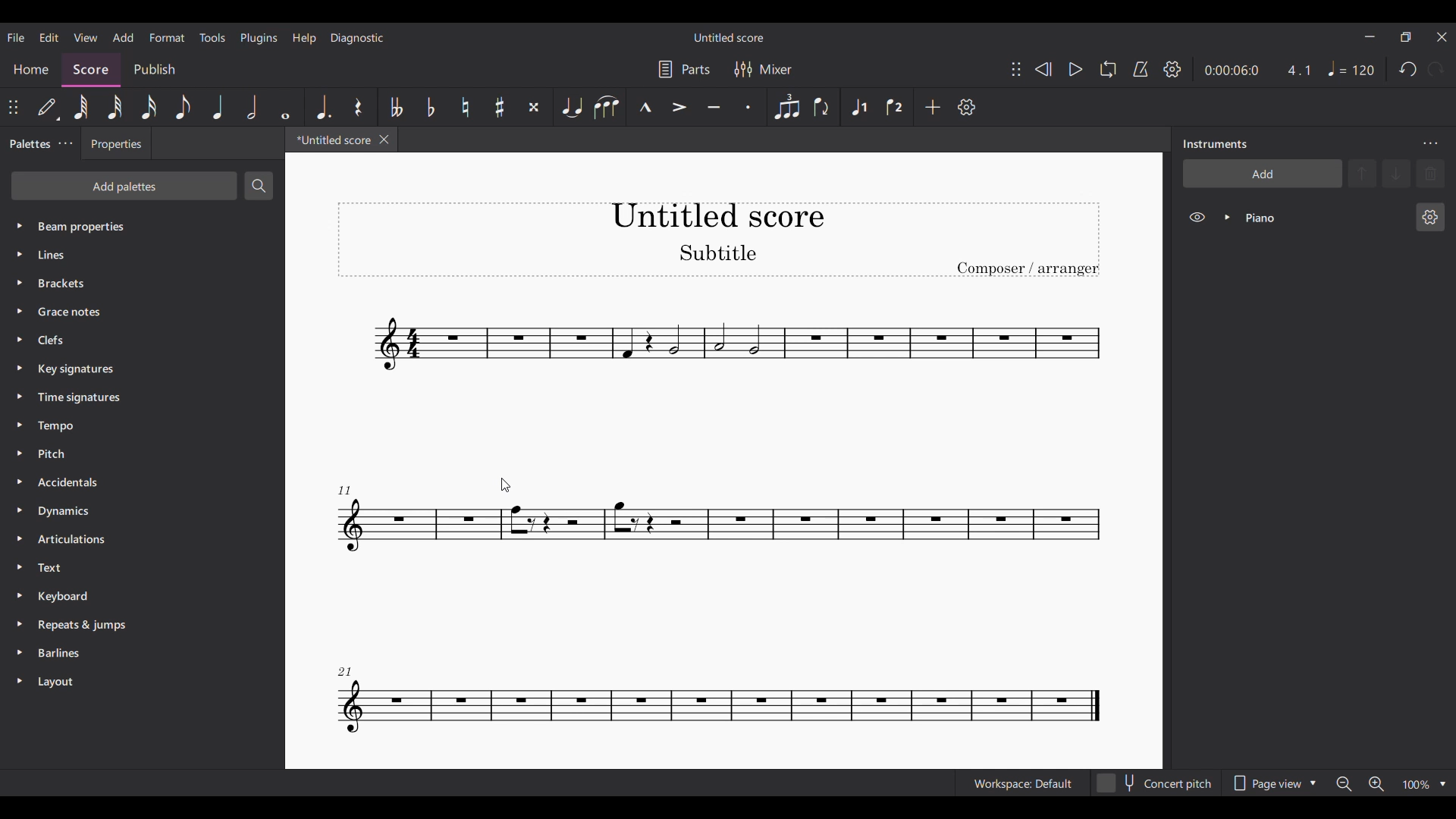  What do you see at coordinates (130, 655) in the screenshot?
I see `Barlines` at bounding box center [130, 655].